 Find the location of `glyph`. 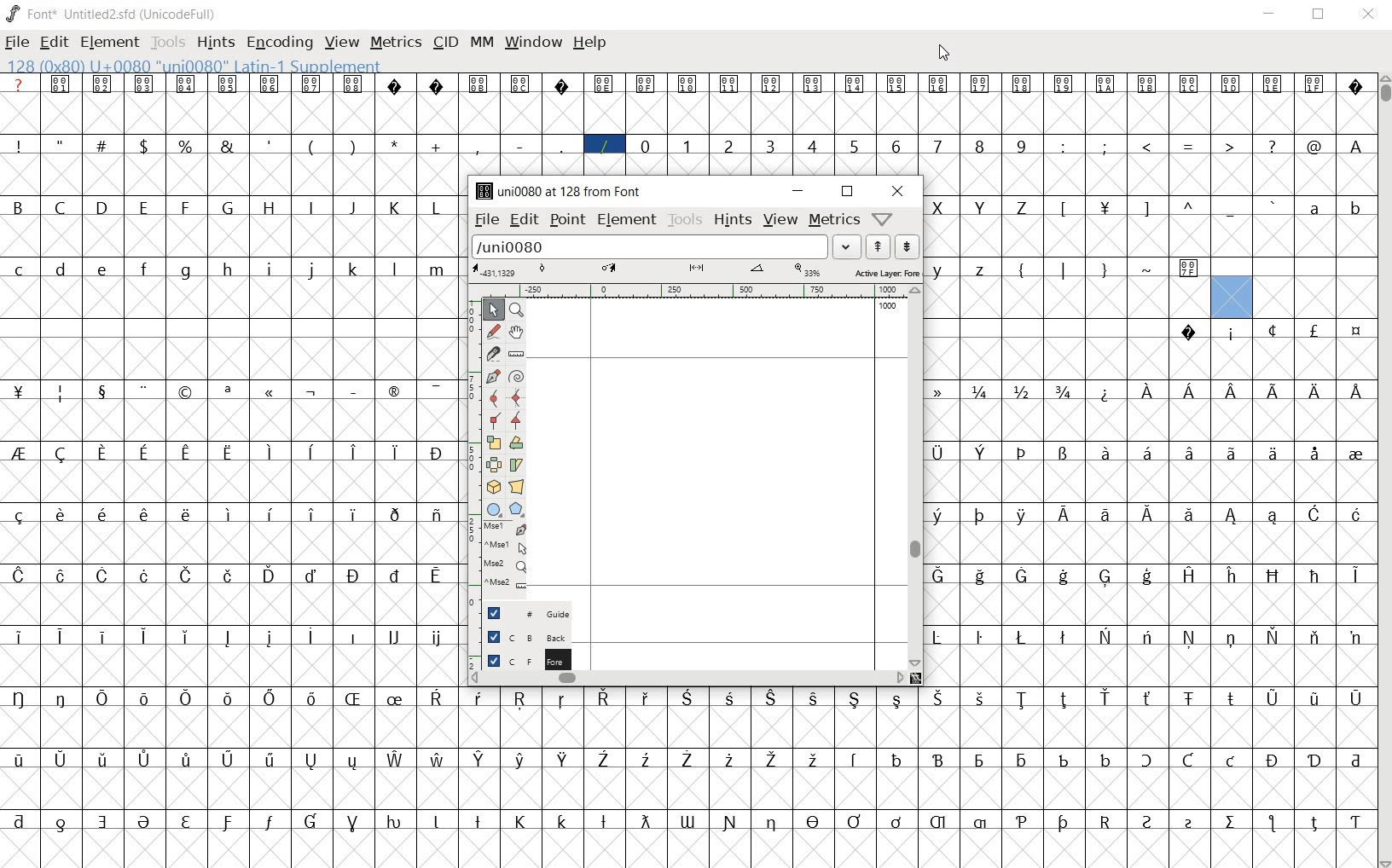

glyph is located at coordinates (1020, 272).